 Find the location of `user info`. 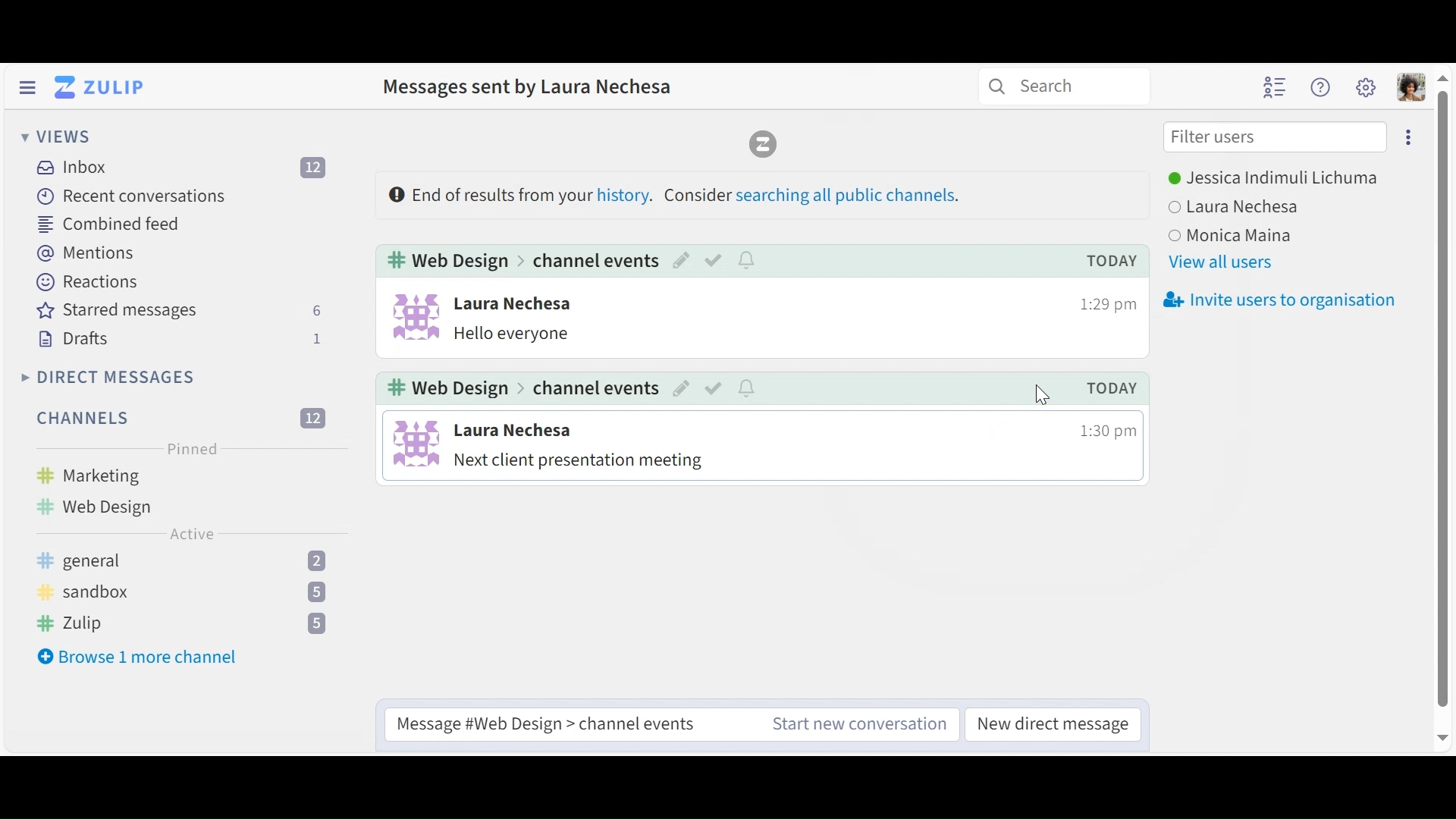

user info is located at coordinates (410, 319).